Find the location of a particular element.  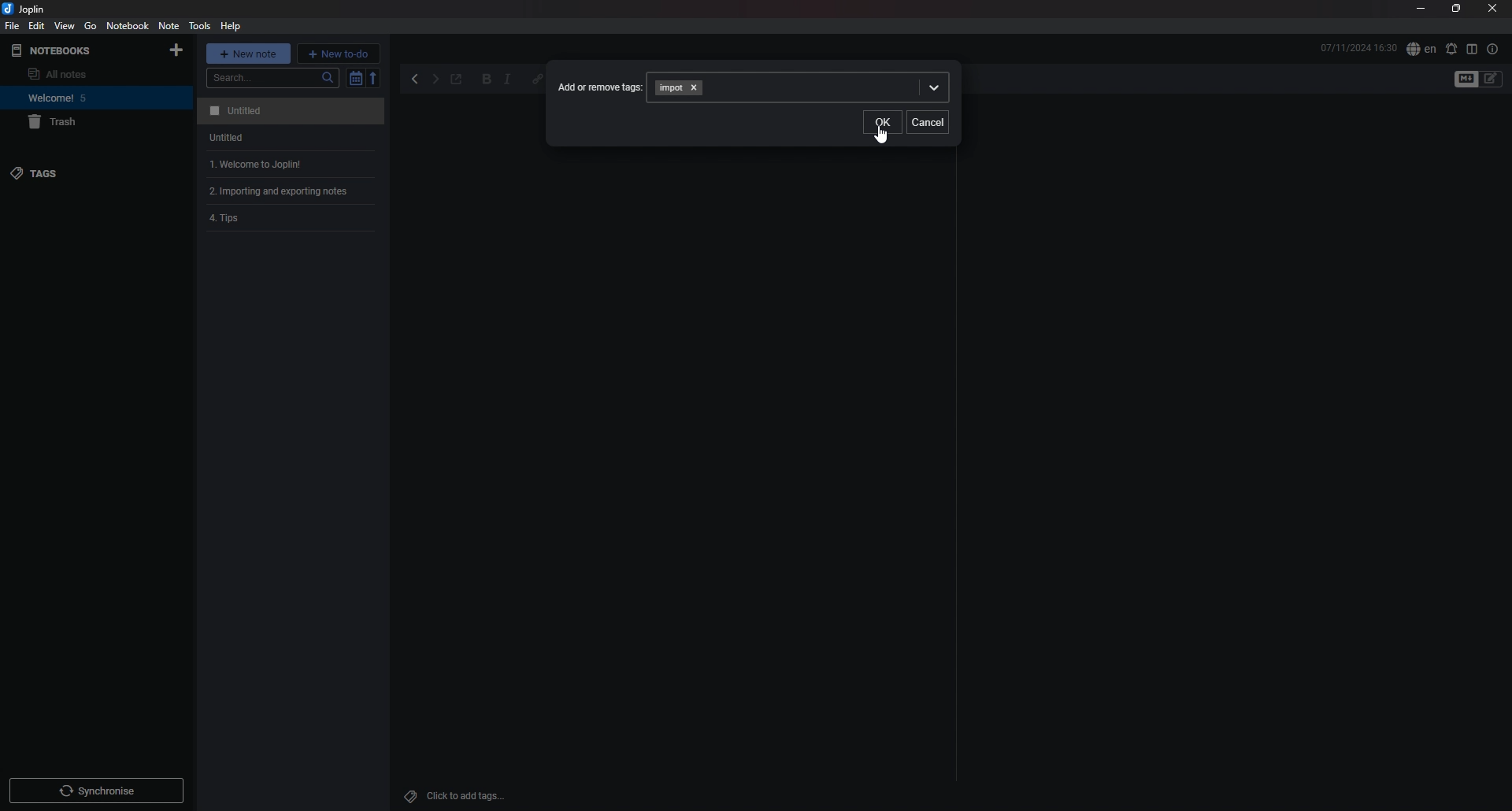

minimize is located at coordinates (1421, 10).